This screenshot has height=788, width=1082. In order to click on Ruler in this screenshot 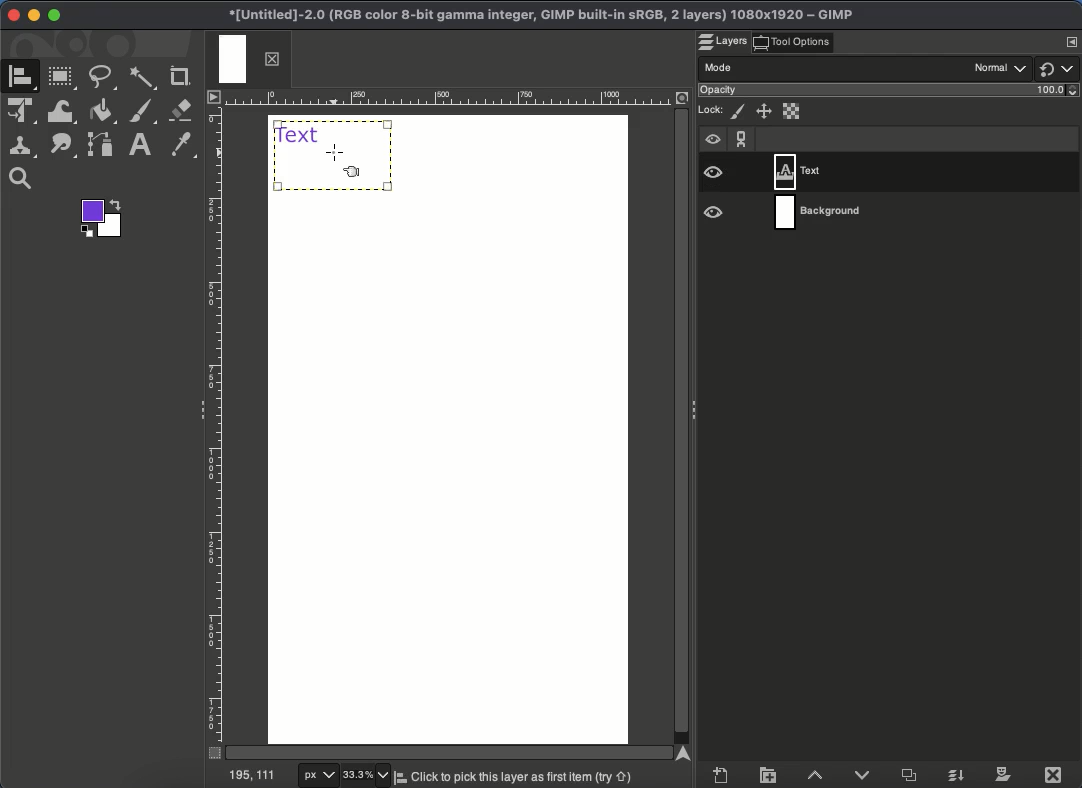, I will do `click(466, 98)`.